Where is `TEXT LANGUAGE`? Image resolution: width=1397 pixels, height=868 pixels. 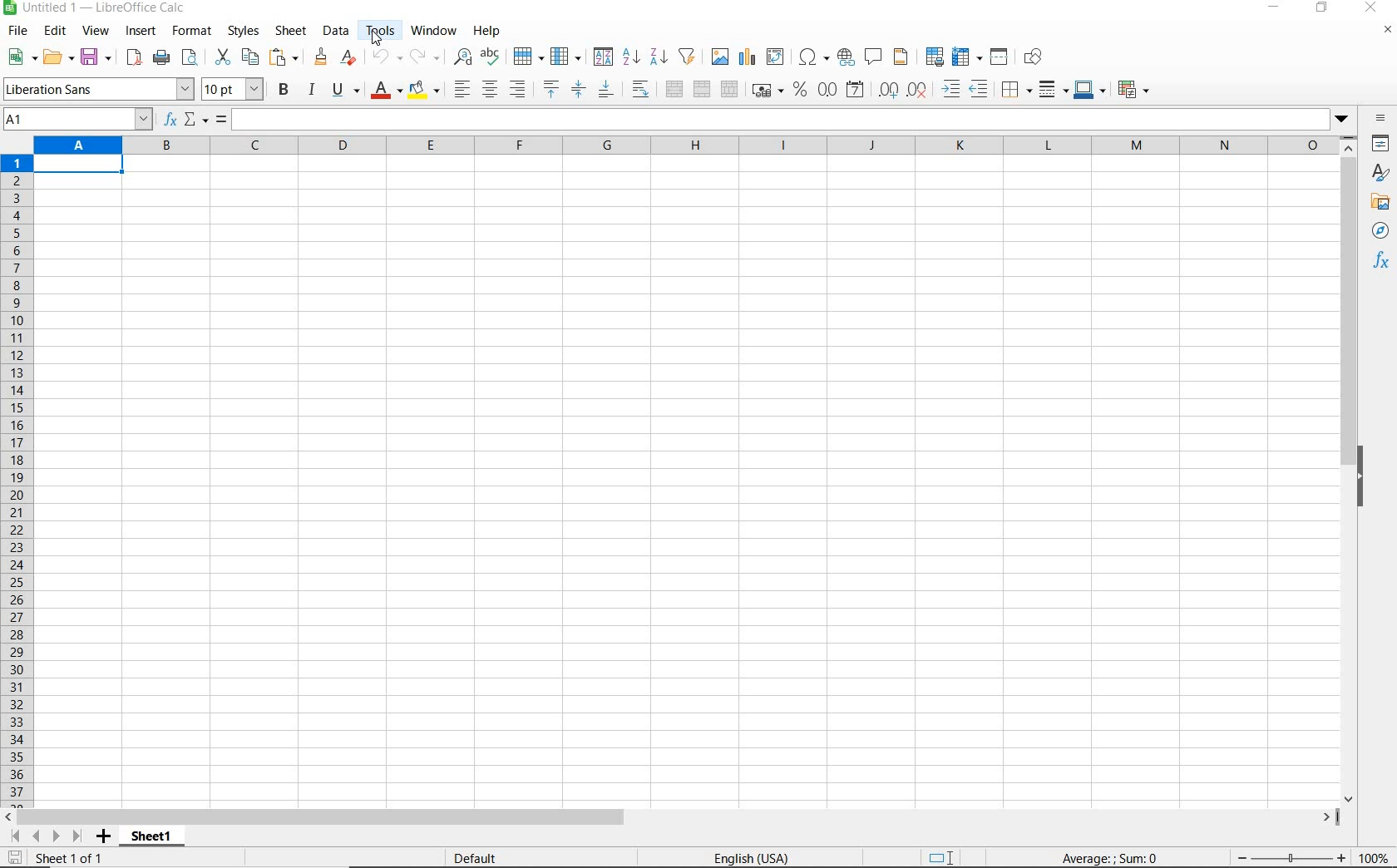
TEXT LANGUAGE is located at coordinates (748, 858).